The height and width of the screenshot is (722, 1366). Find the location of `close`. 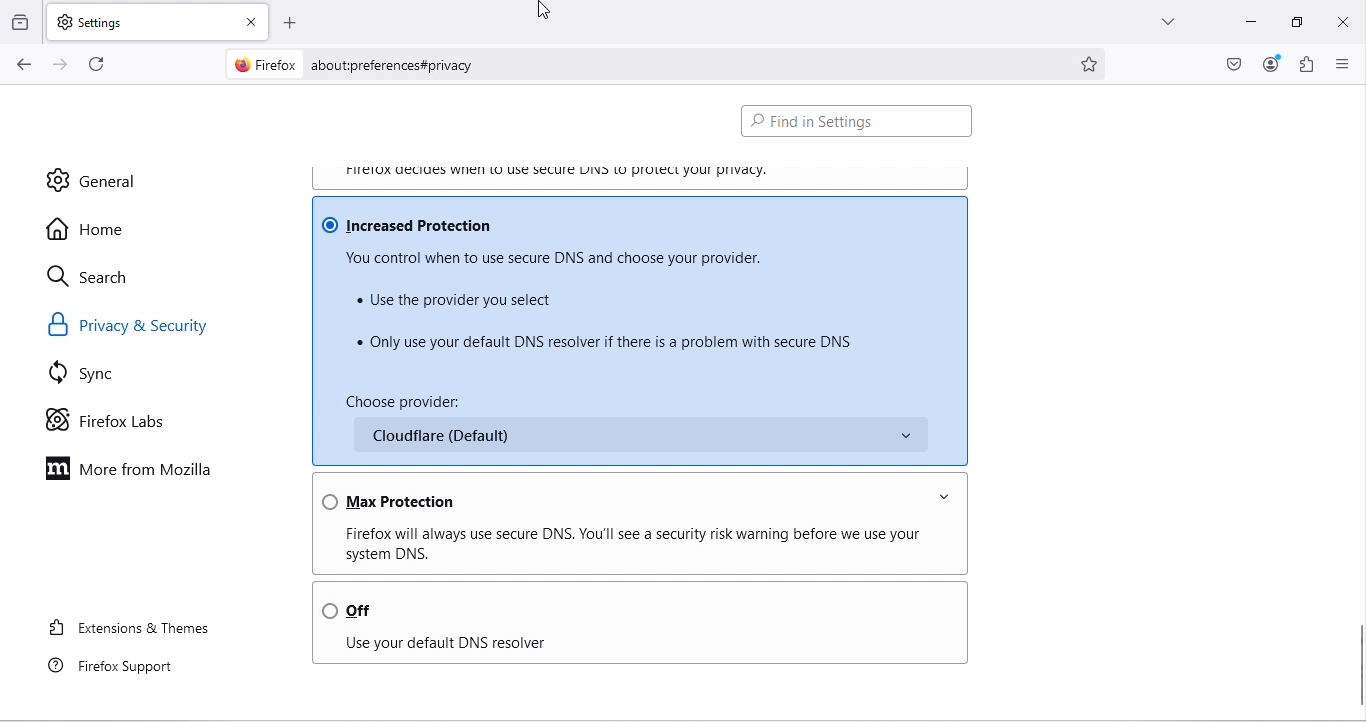

close is located at coordinates (1346, 26).